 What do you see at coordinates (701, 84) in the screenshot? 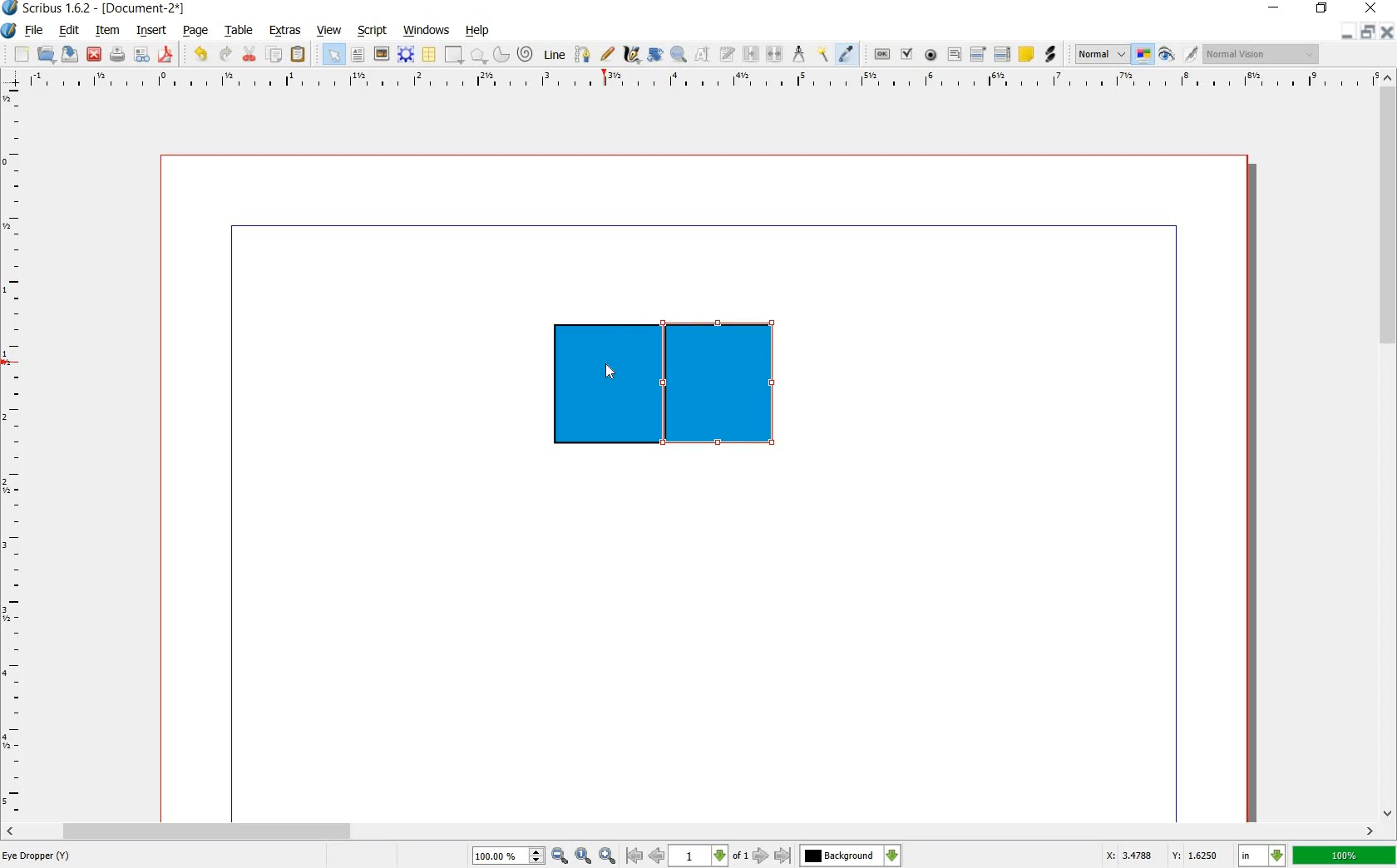
I see `ruler` at bounding box center [701, 84].